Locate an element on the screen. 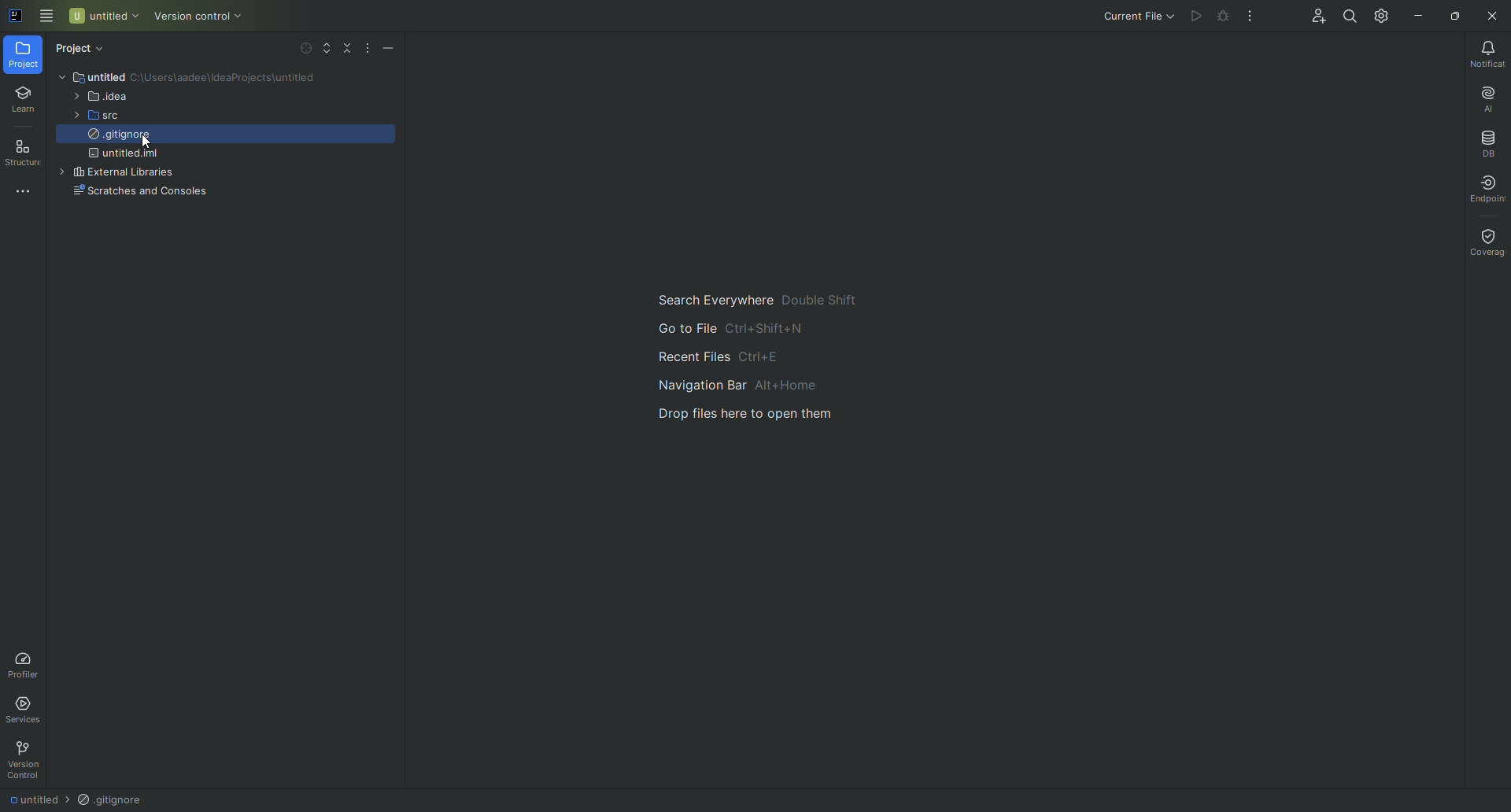 The width and height of the screenshot is (1511, 812). src is located at coordinates (108, 117).